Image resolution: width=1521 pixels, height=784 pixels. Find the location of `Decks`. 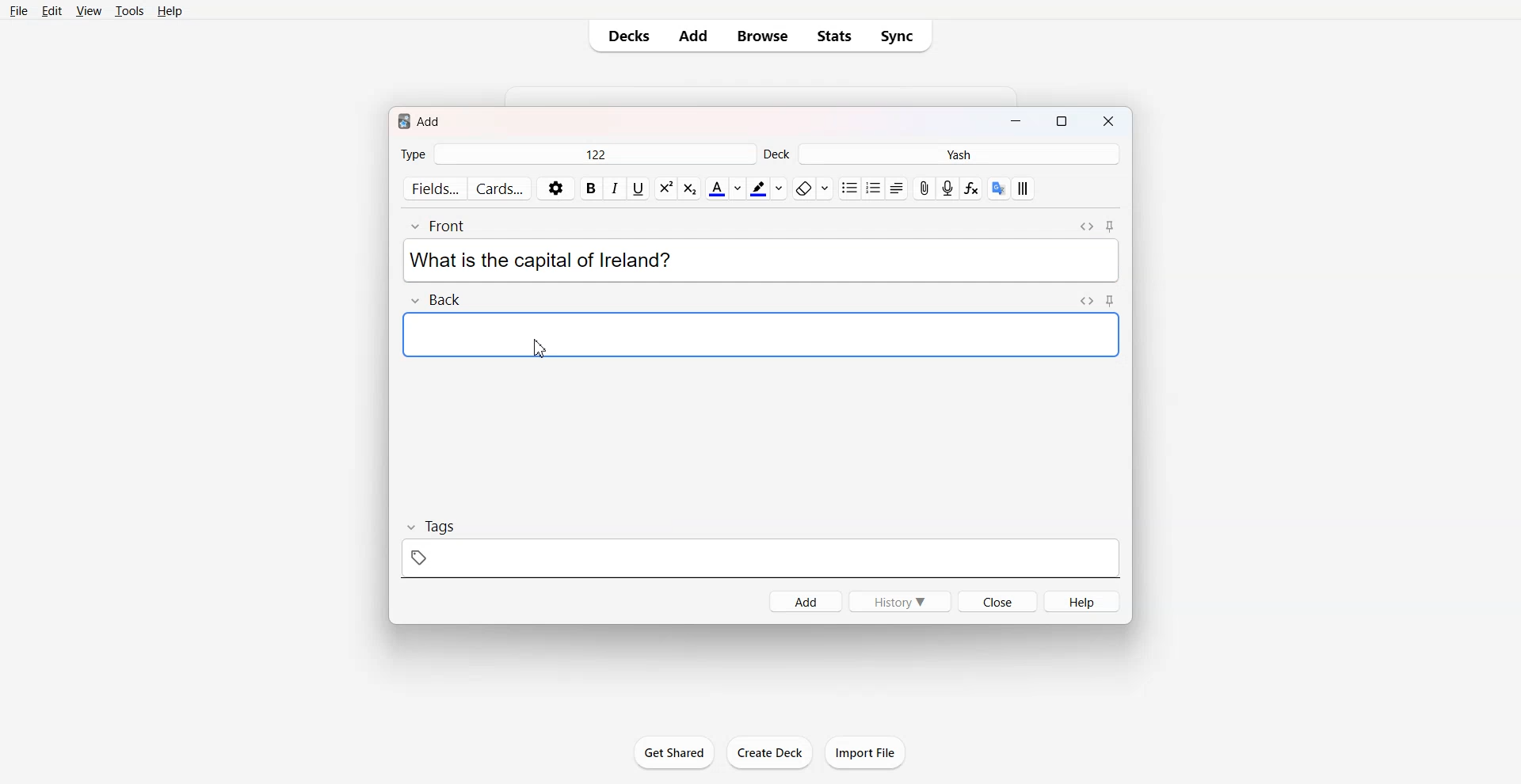

Decks is located at coordinates (626, 36).